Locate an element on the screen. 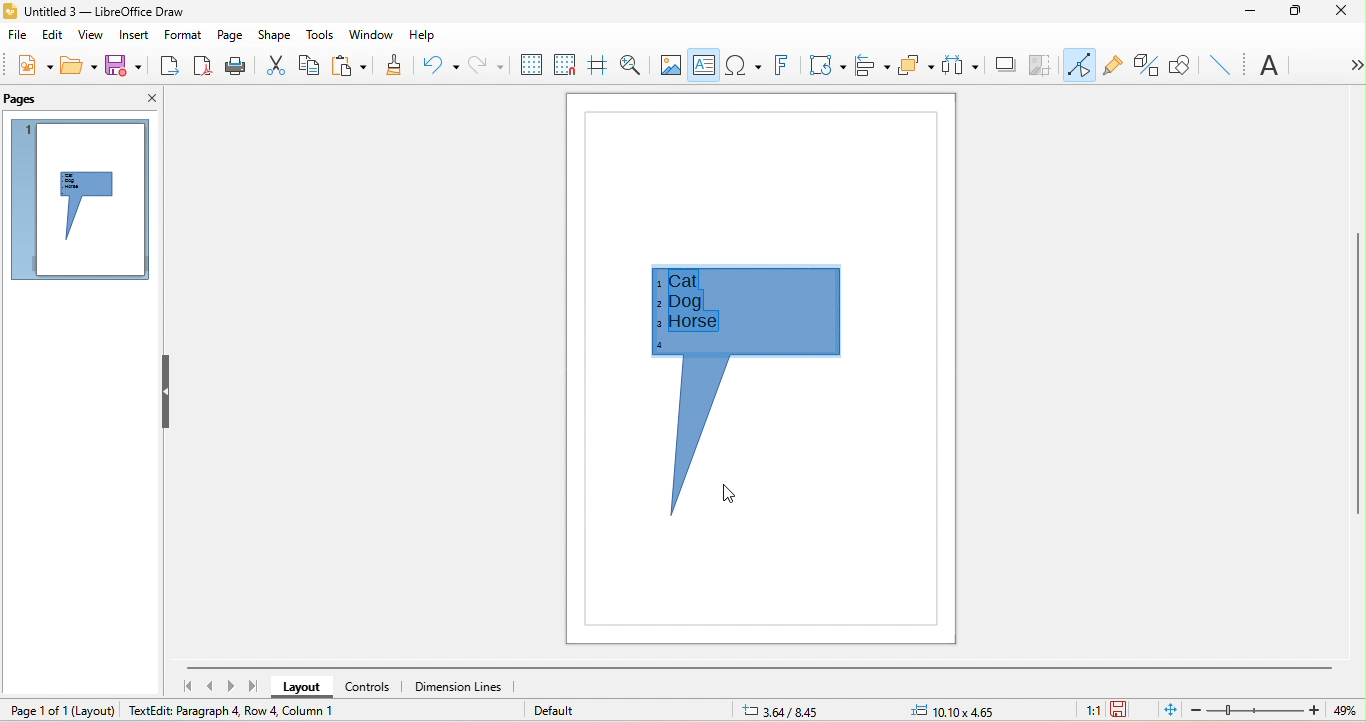 This screenshot has height=722, width=1366. image is located at coordinates (672, 64).